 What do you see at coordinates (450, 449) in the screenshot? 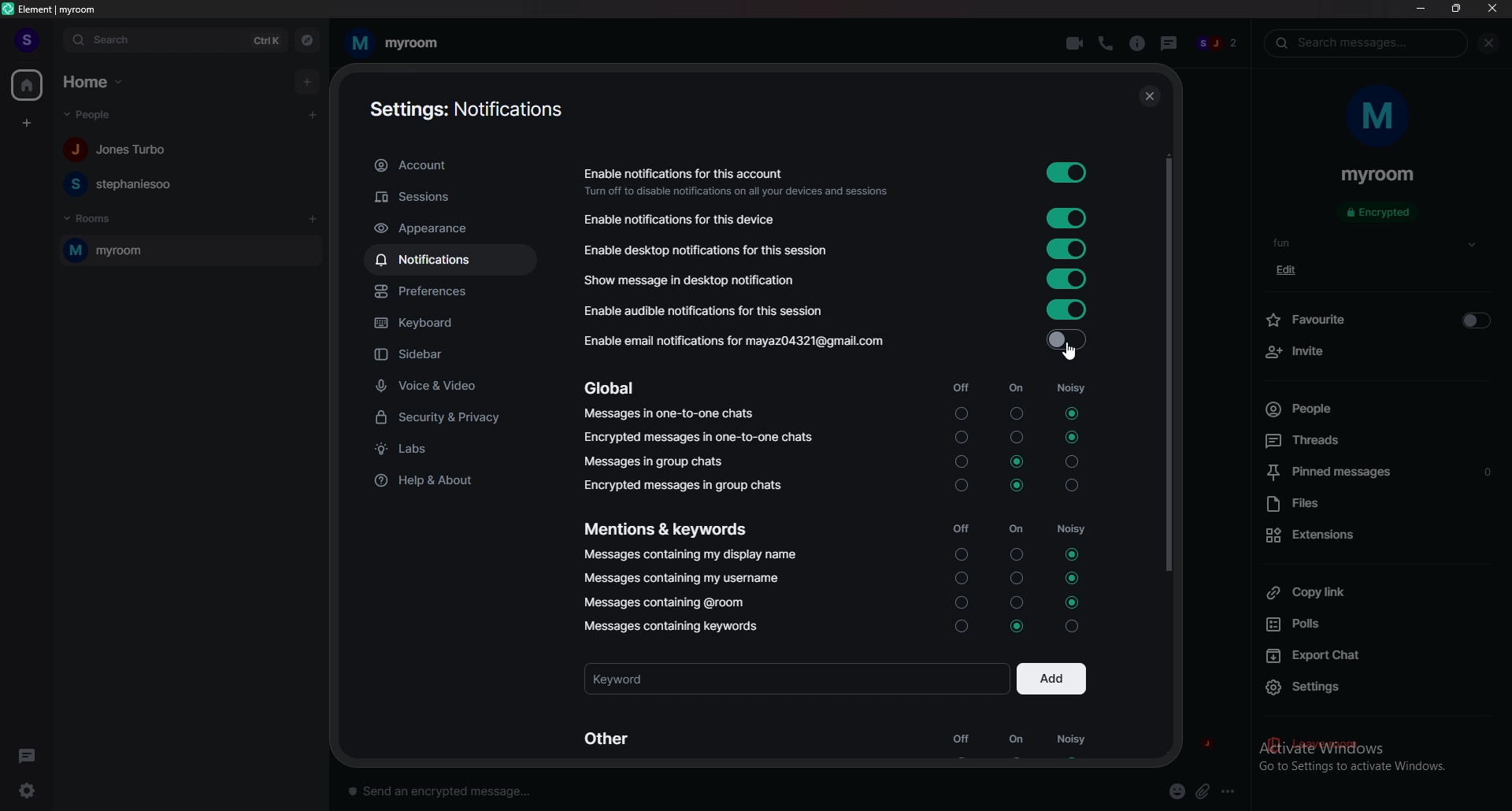
I see `labs` at bounding box center [450, 449].